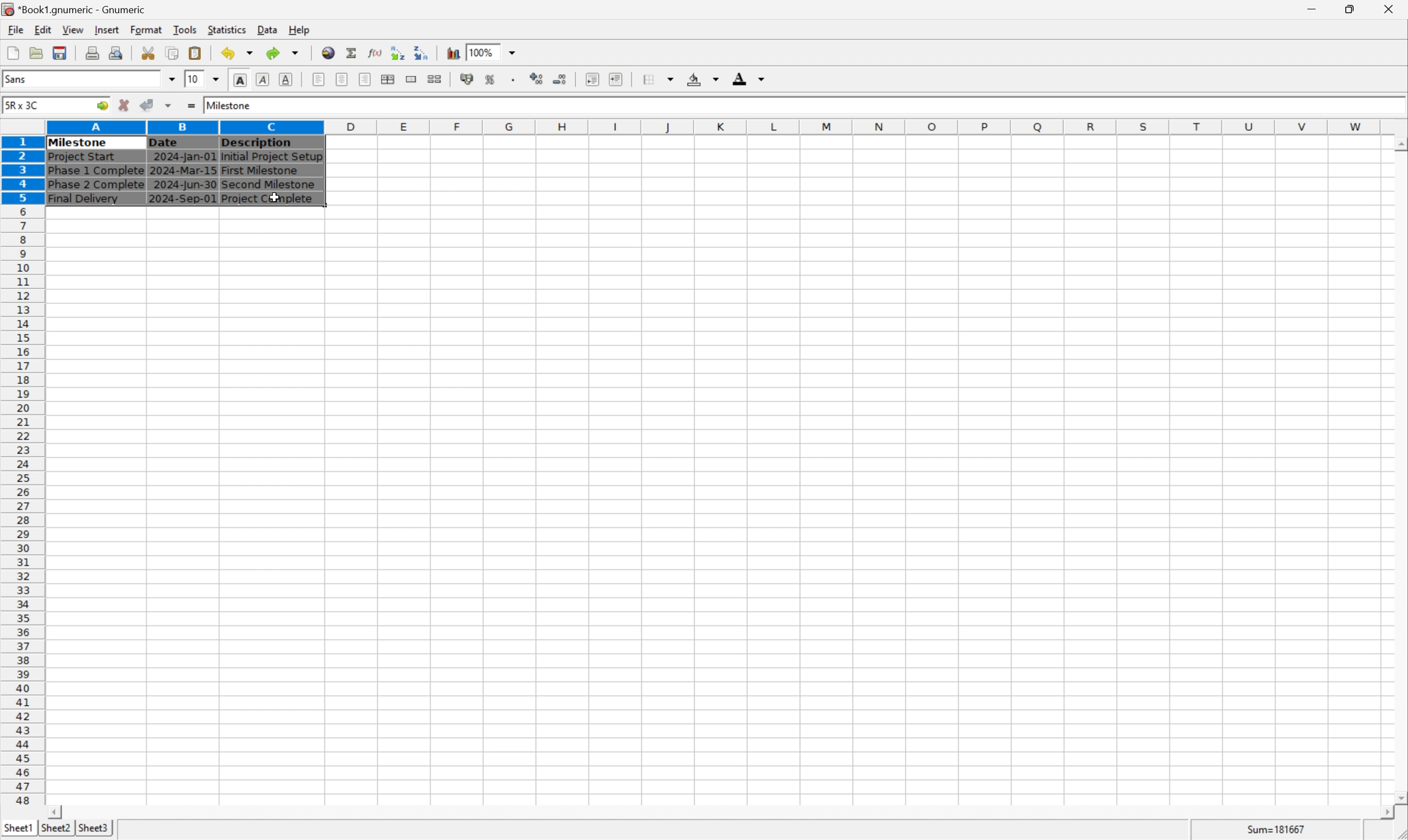  I want to click on align right, so click(363, 80).